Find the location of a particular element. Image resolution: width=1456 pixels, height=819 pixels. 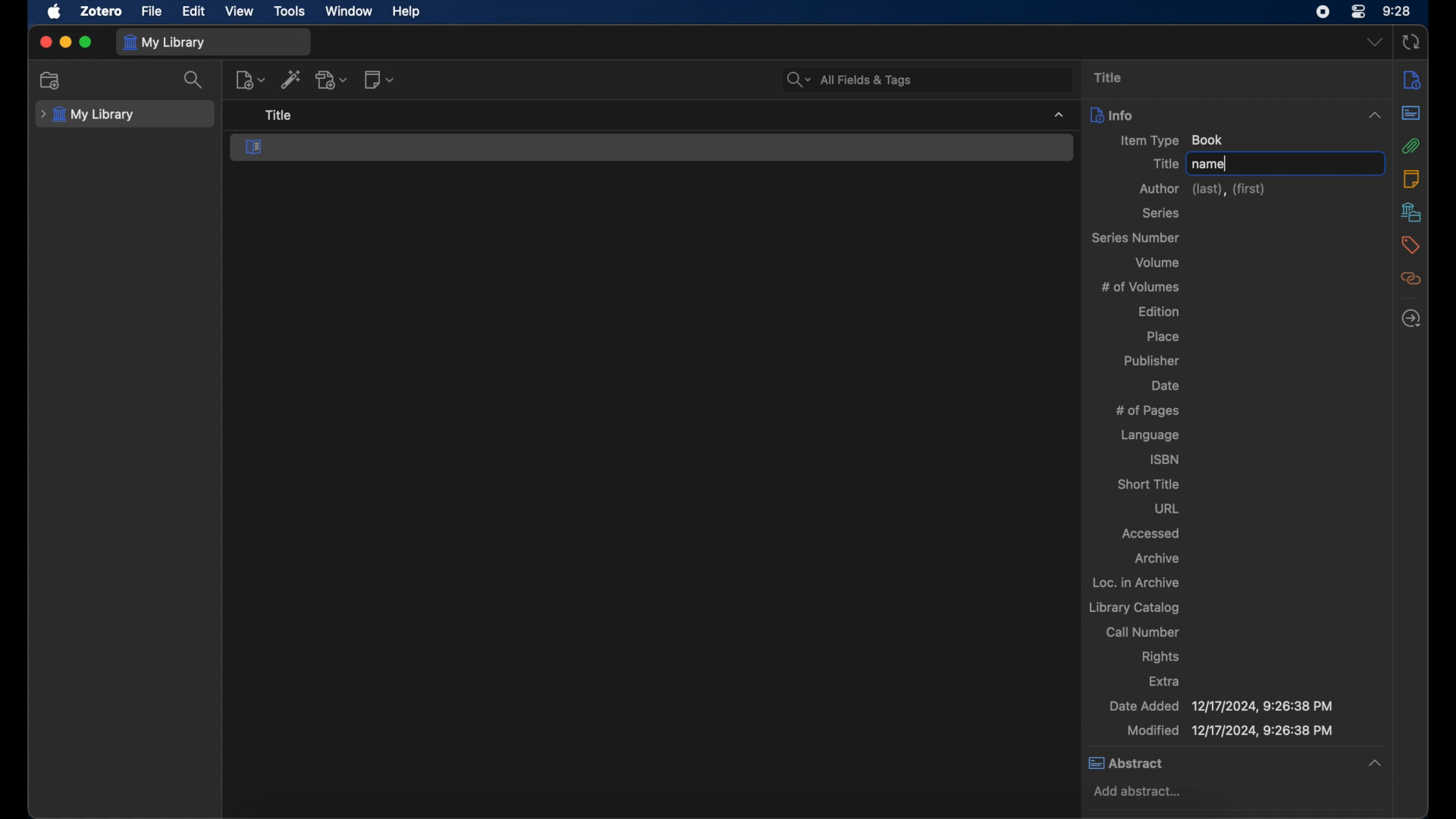

minimize is located at coordinates (65, 42).